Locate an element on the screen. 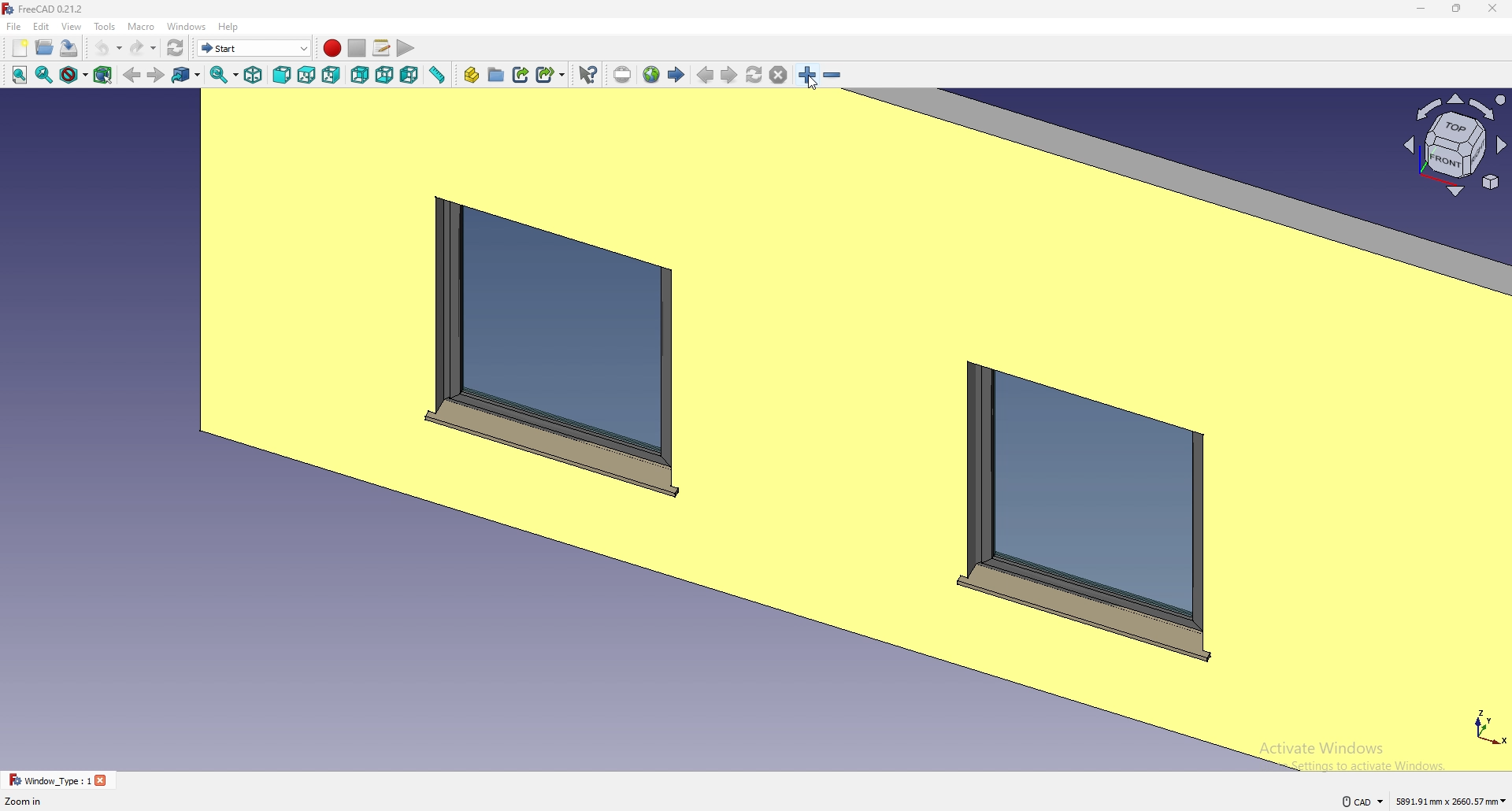 This screenshot has width=1512, height=811. next page is located at coordinates (730, 76).